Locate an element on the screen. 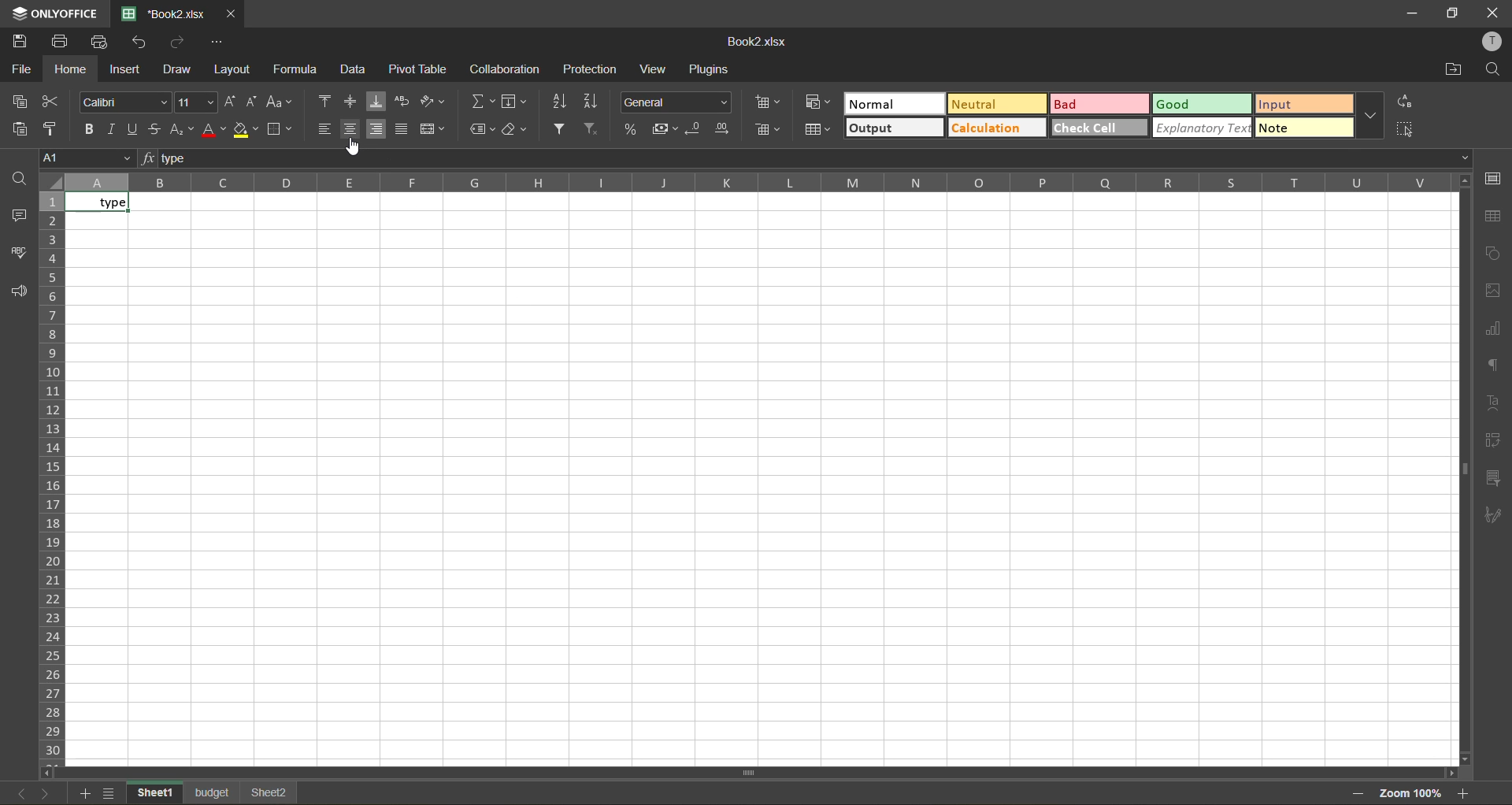  formula is located at coordinates (298, 71).